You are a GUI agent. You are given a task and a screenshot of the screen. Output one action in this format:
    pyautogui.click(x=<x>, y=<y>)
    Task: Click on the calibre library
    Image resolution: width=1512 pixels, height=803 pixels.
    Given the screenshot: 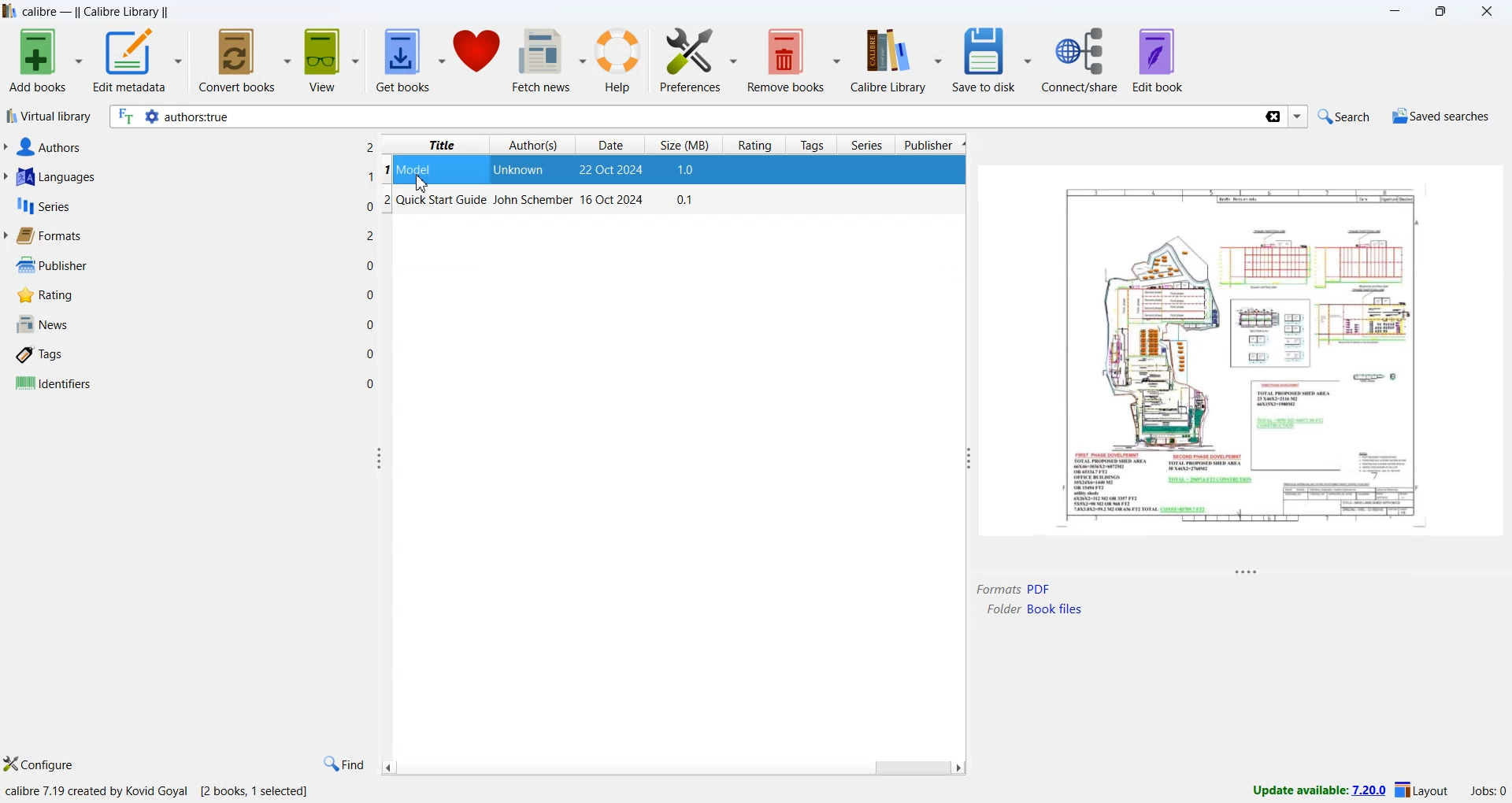 What is the action you would take?
    pyautogui.click(x=899, y=60)
    